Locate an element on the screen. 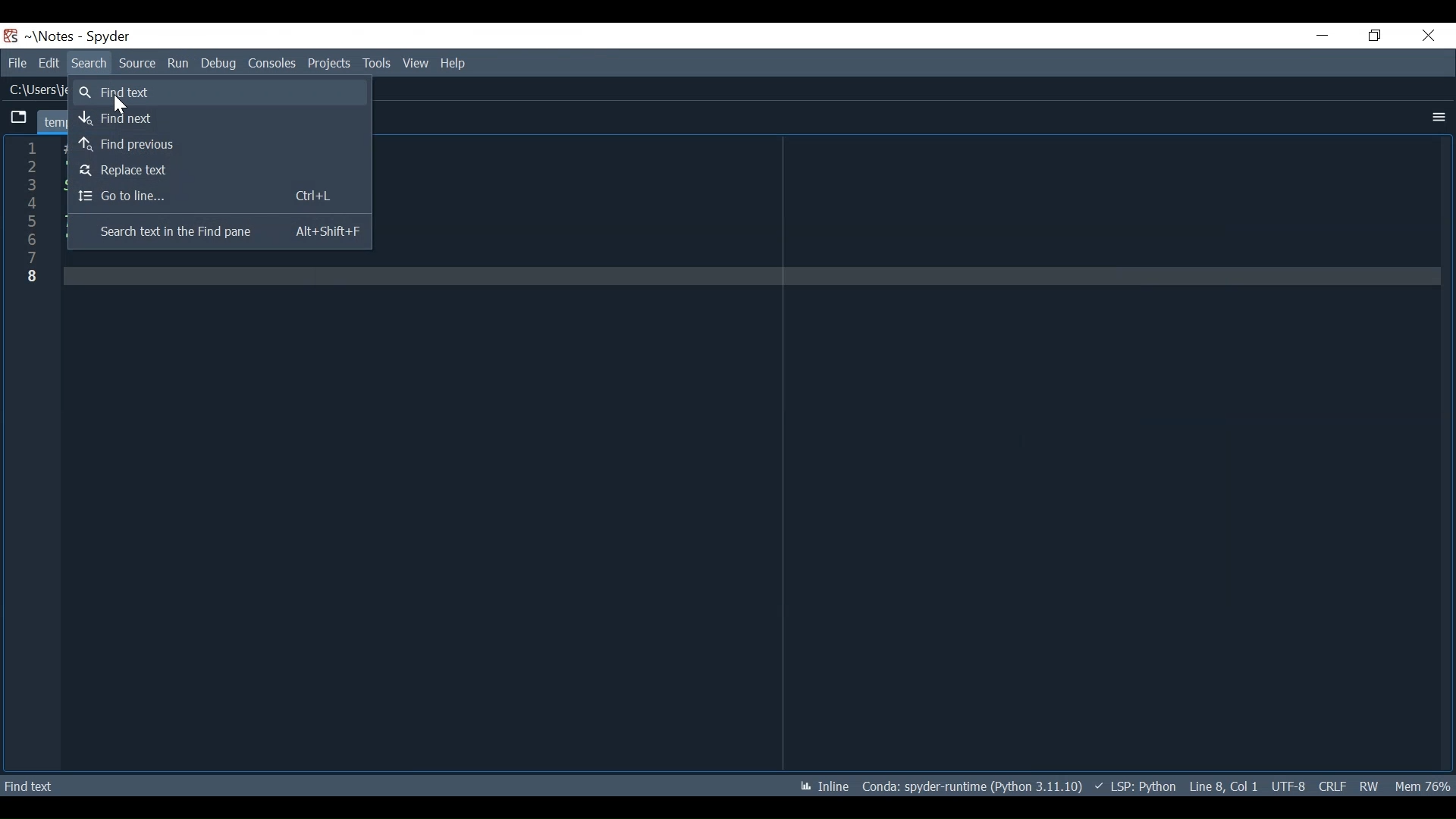 The image size is (1456, 819). Find Previous is located at coordinates (215, 144).